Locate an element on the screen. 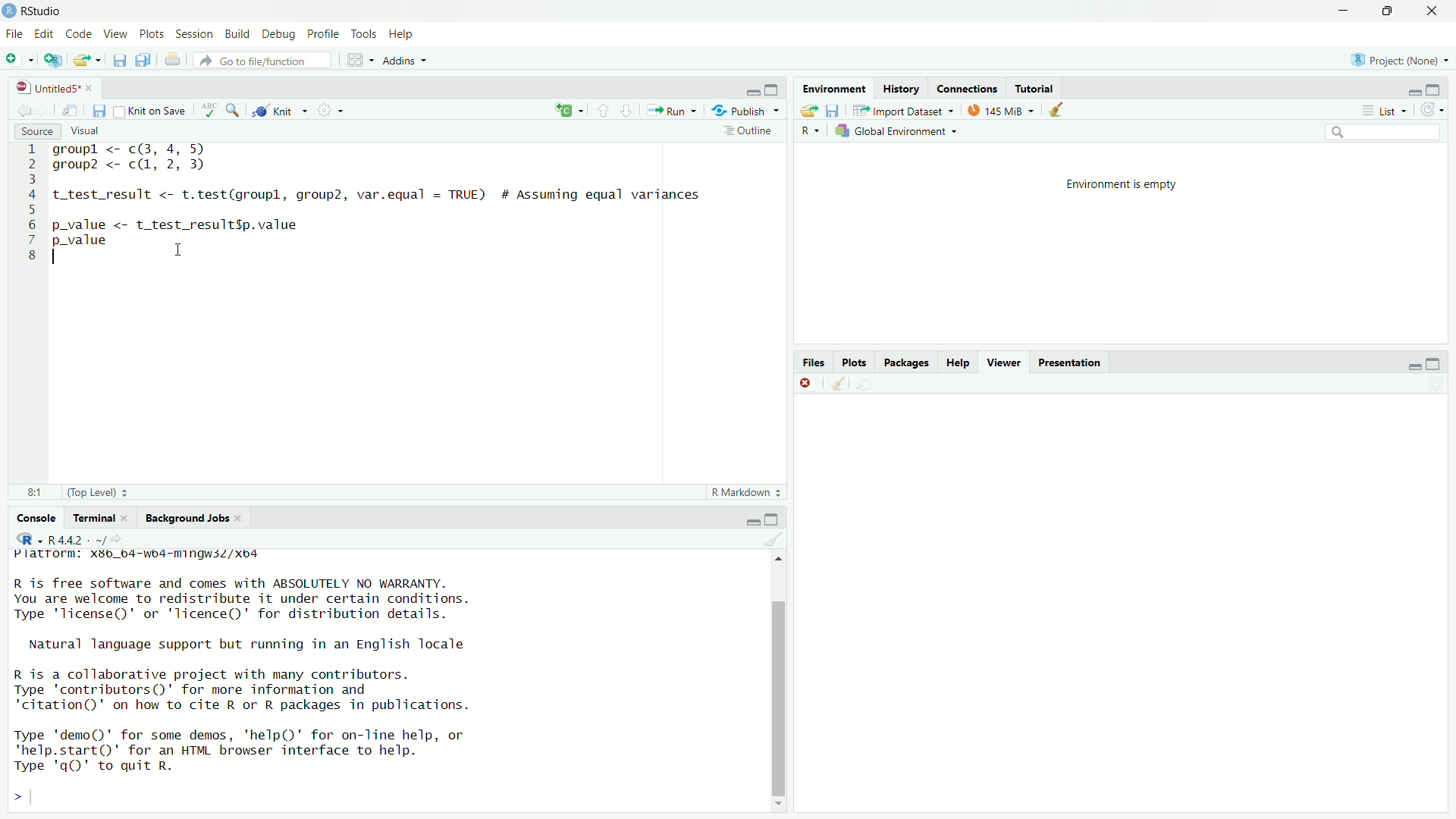 This screenshot has height=819, width=1456. save is located at coordinates (101, 111).